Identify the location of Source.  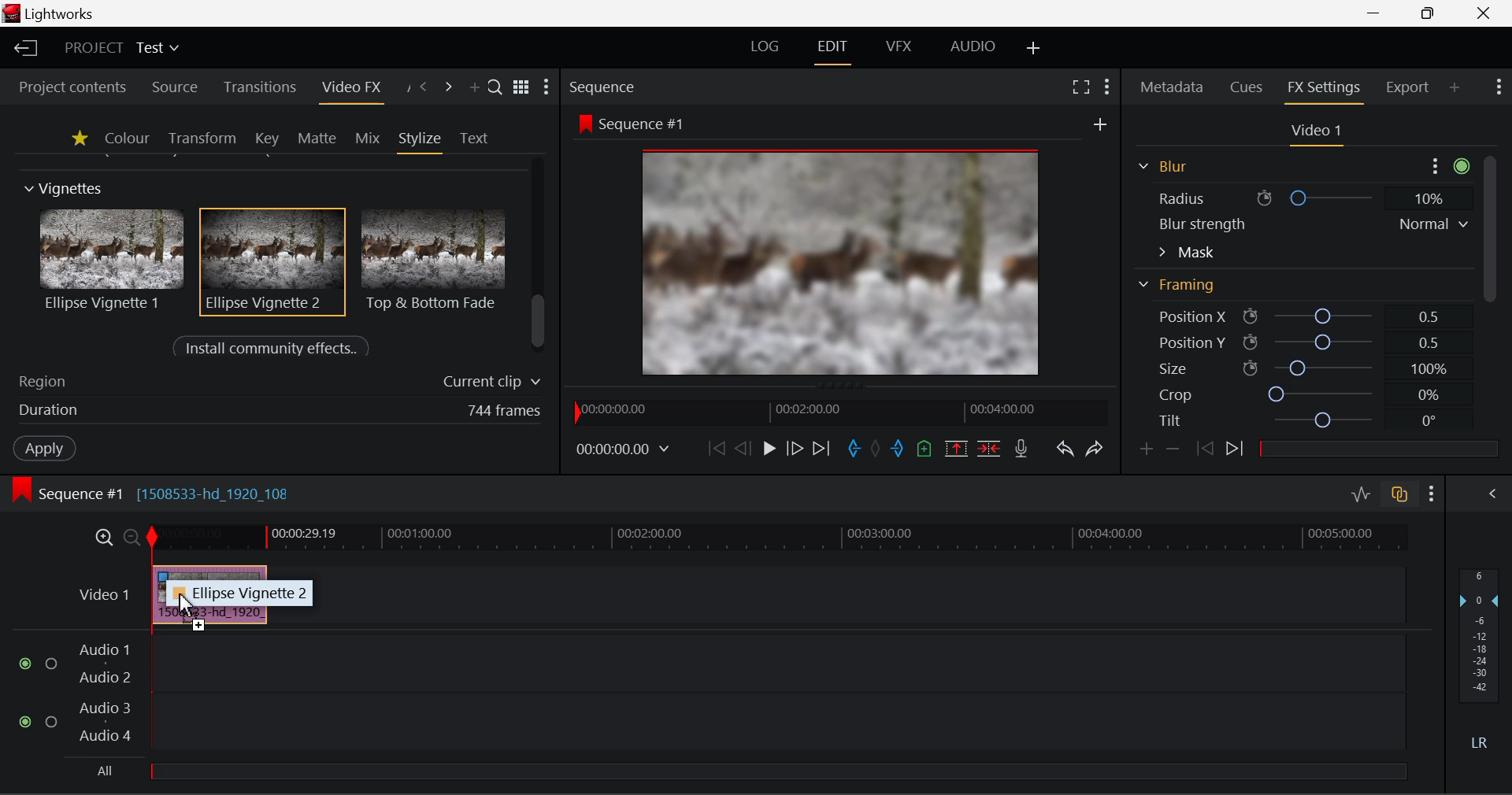
(172, 86).